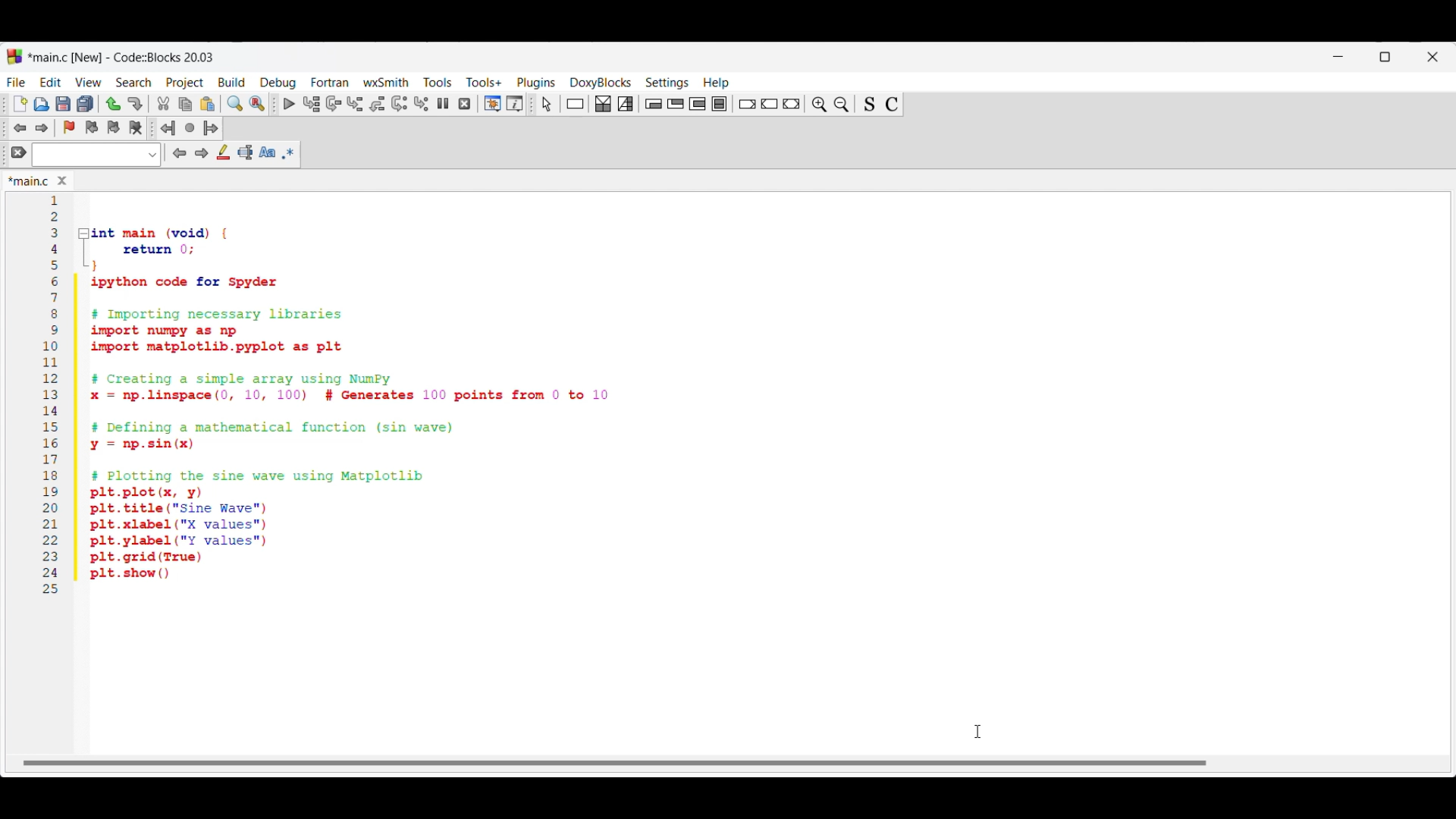 This screenshot has width=1456, height=819. I want to click on Next instruction, so click(399, 104).